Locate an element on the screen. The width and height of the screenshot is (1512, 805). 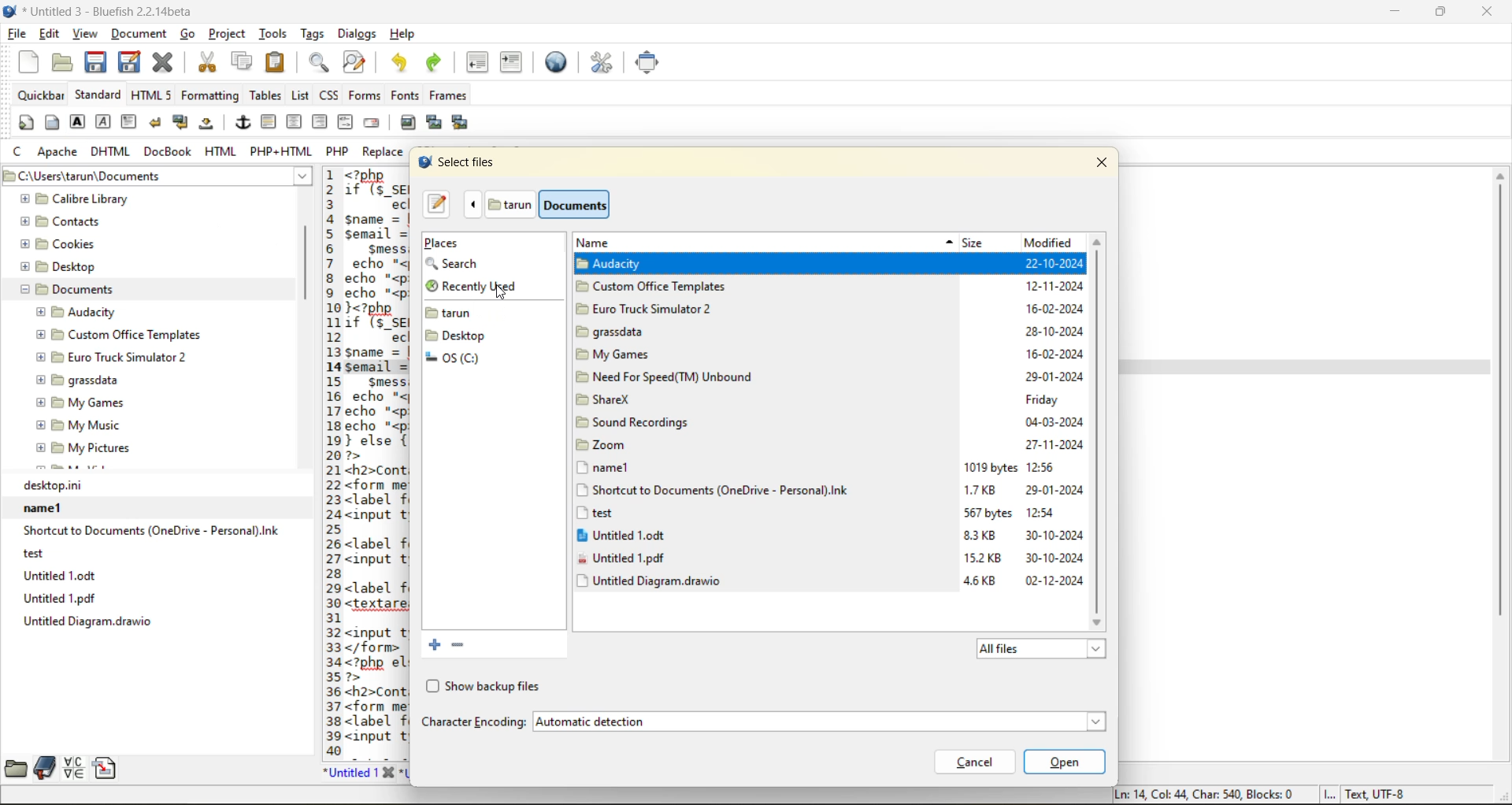
preview in browser is located at coordinates (560, 61).